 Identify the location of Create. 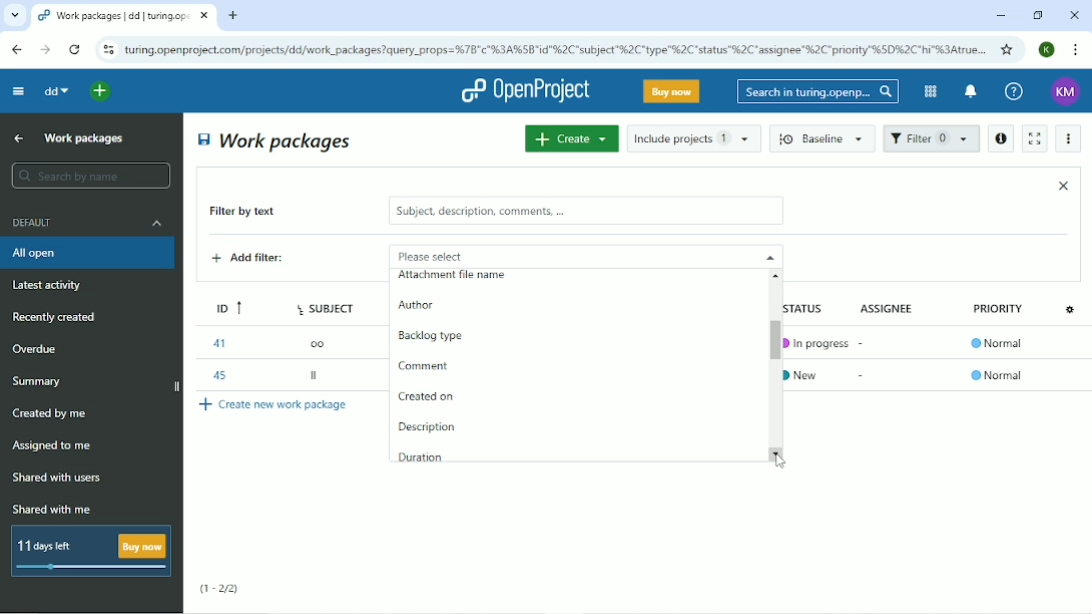
(571, 138).